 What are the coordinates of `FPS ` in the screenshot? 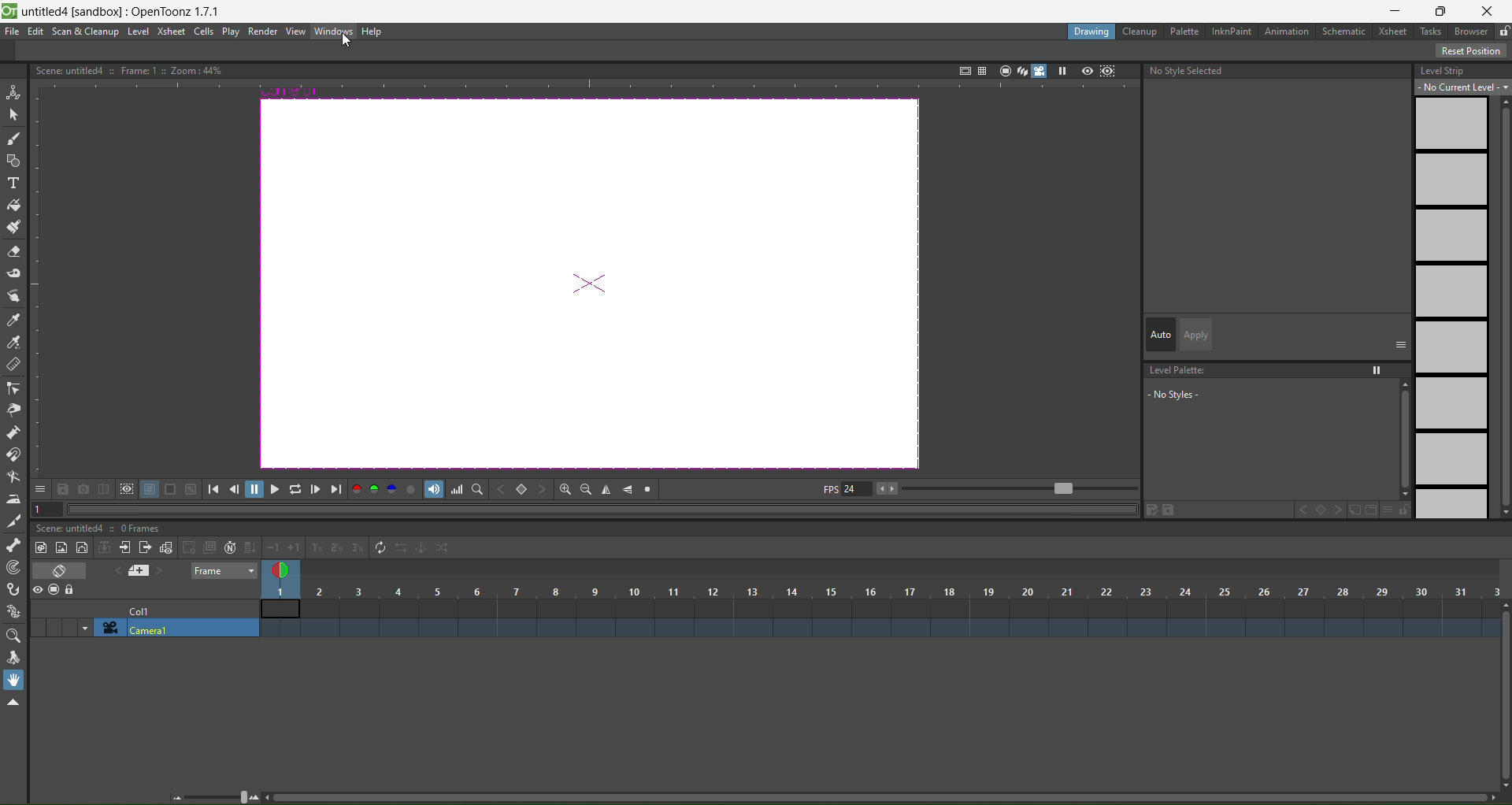 It's located at (977, 490).